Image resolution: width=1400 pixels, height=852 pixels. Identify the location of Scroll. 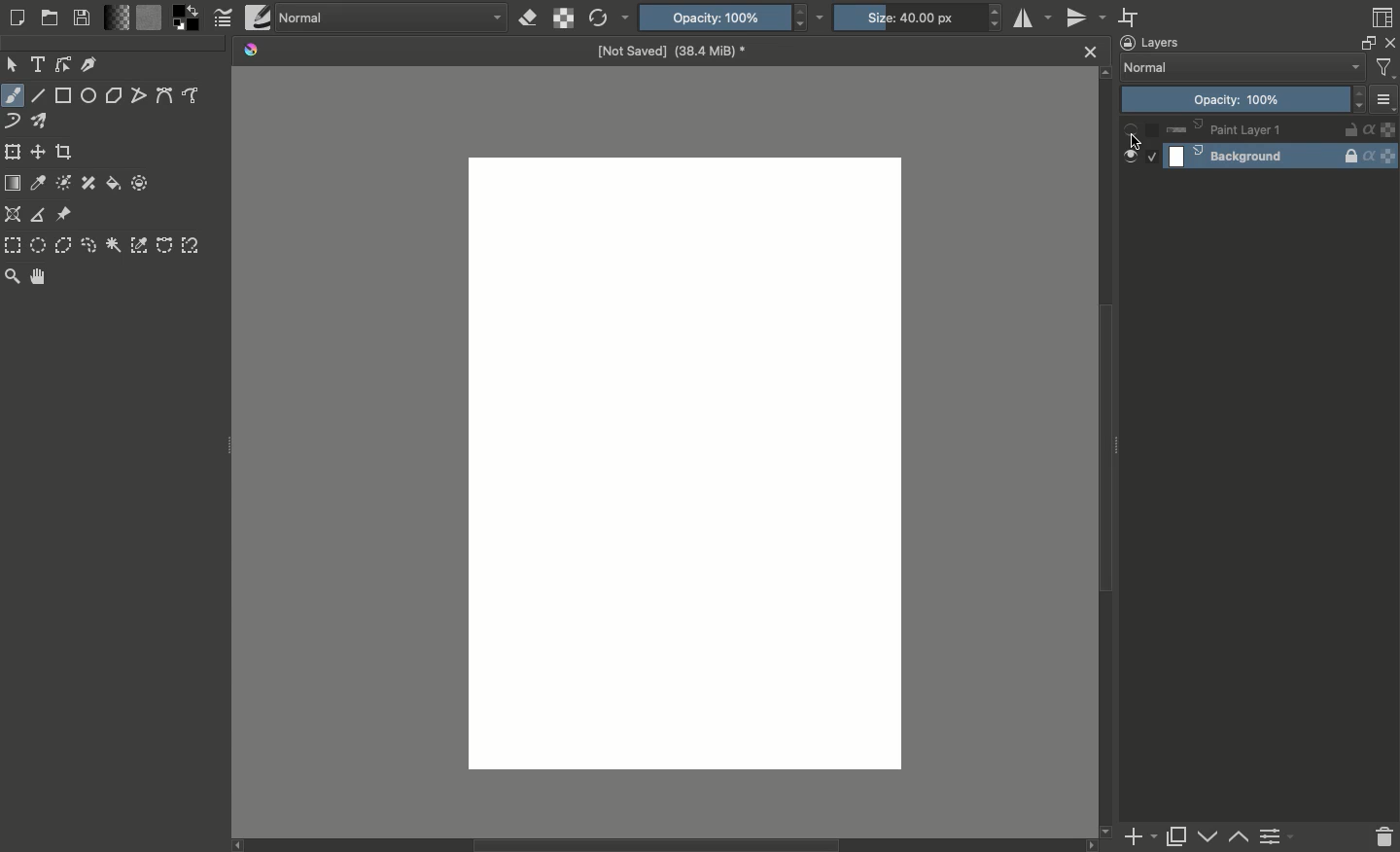
(1109, 452).